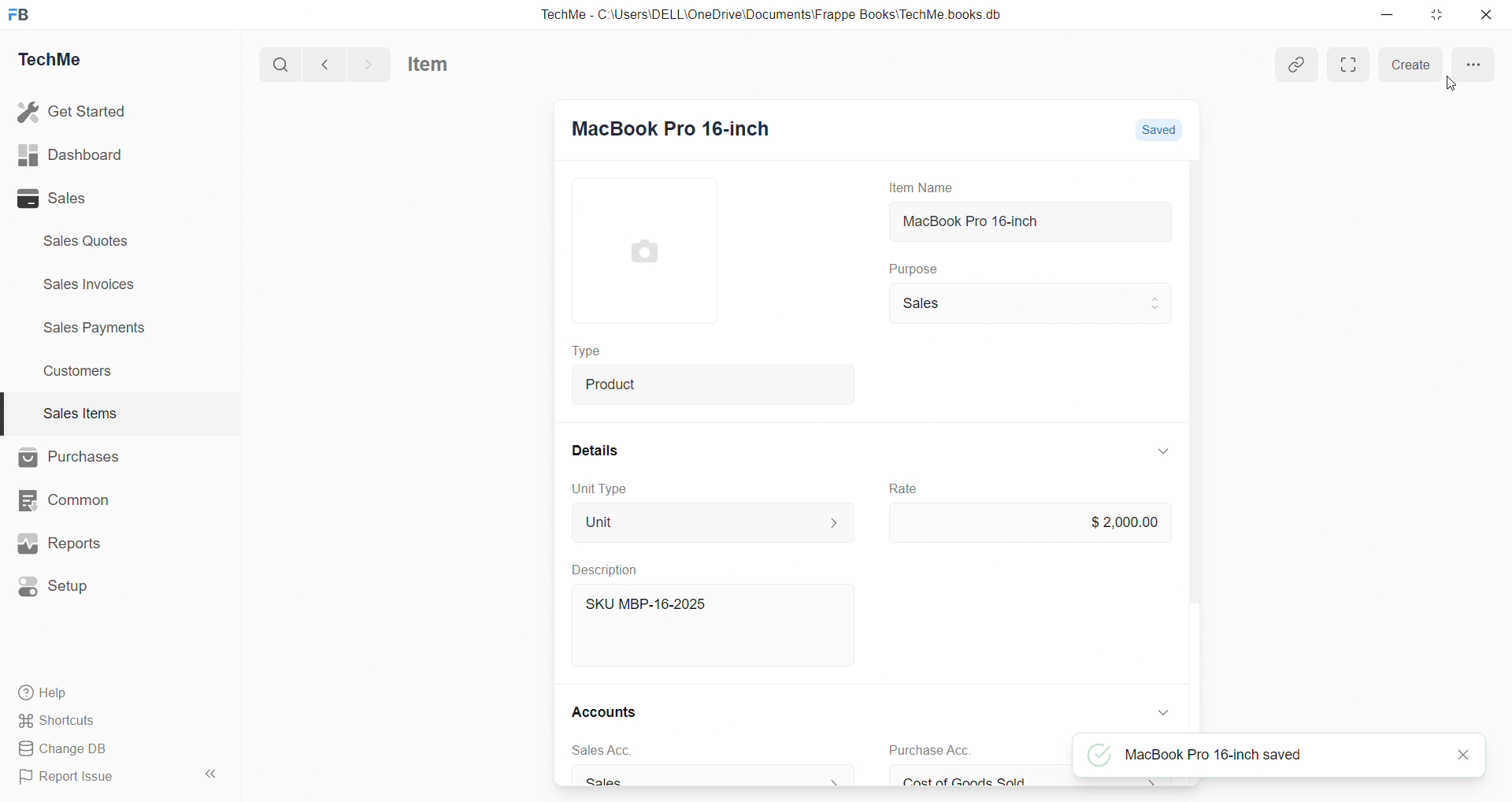 This screenshot has height=802, width=1512. Describe the element at coordinates (80, 373) in the screenshot. I see `Customers` at that location.